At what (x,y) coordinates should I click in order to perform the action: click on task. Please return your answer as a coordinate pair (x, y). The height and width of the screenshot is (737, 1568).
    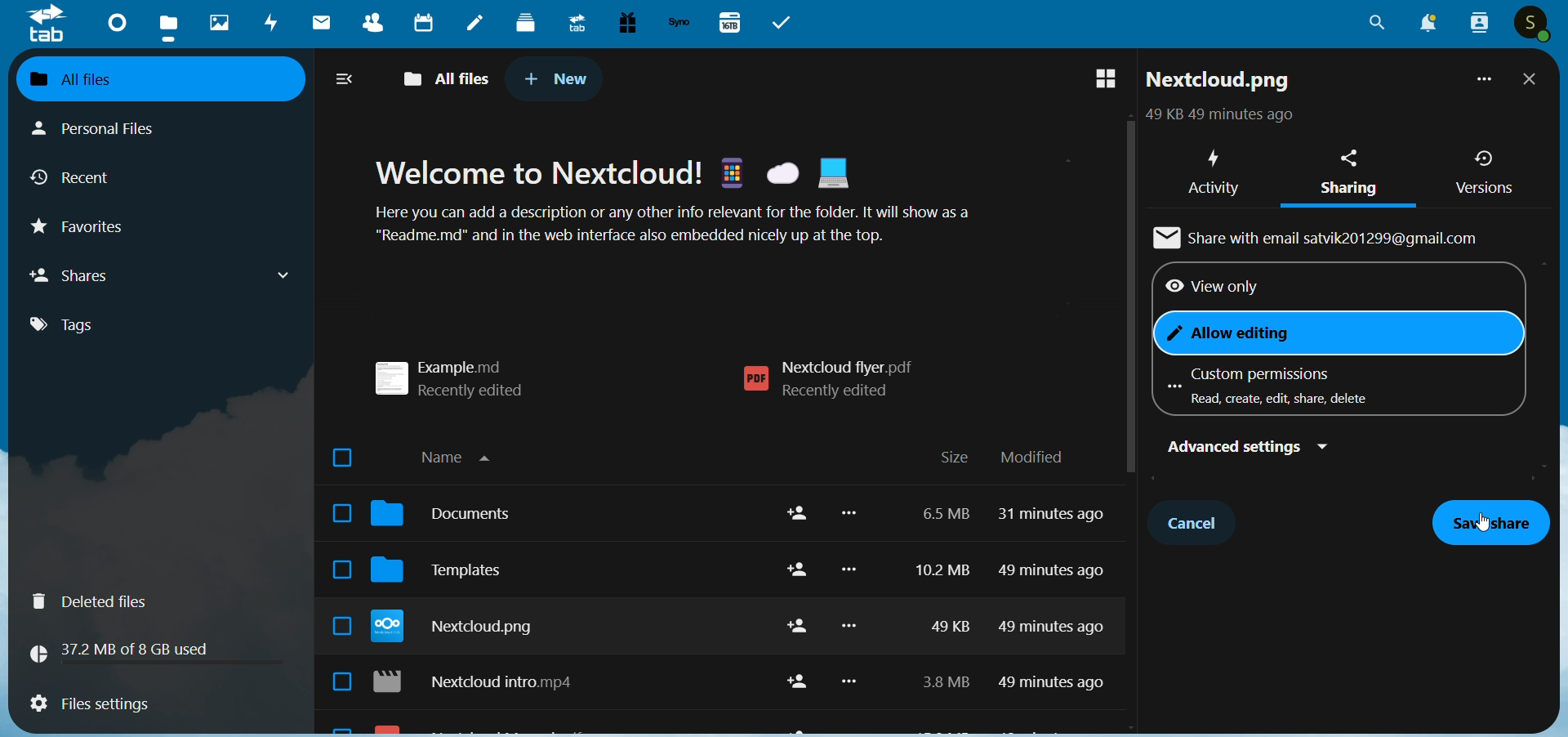
    Looking at the image, I should click on (786, 23).